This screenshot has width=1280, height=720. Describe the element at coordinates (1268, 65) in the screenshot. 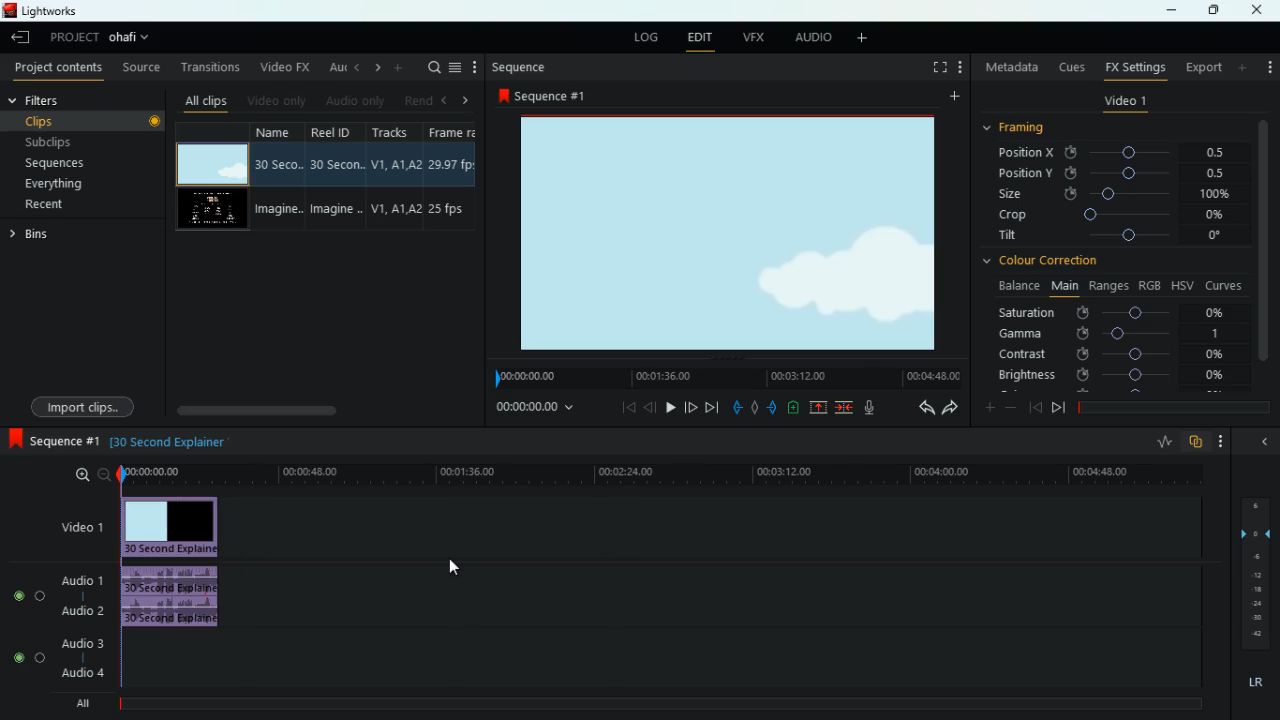

I see `settings` at that location.